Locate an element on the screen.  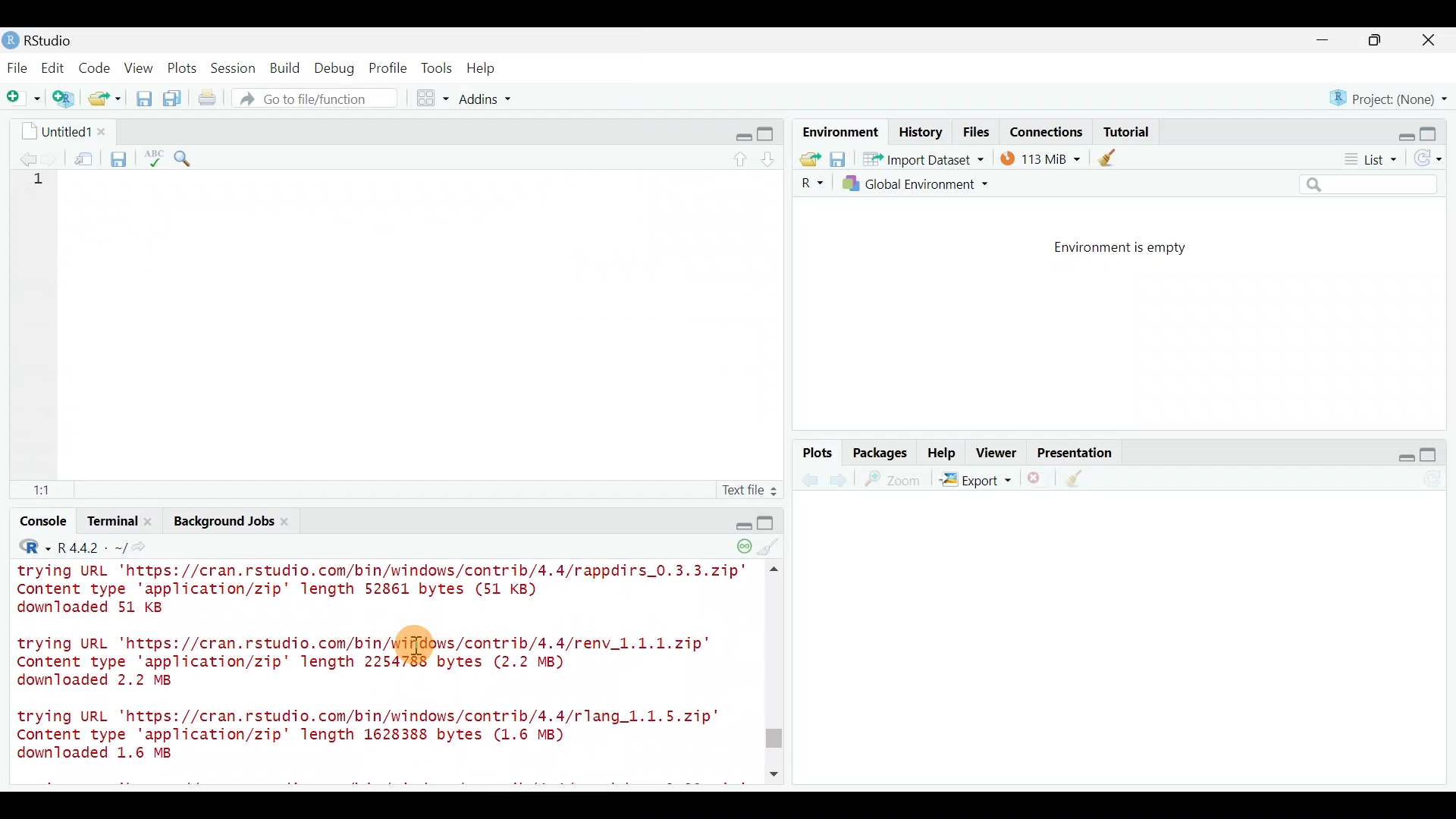
Terminal is located at coordinates (105, 522).